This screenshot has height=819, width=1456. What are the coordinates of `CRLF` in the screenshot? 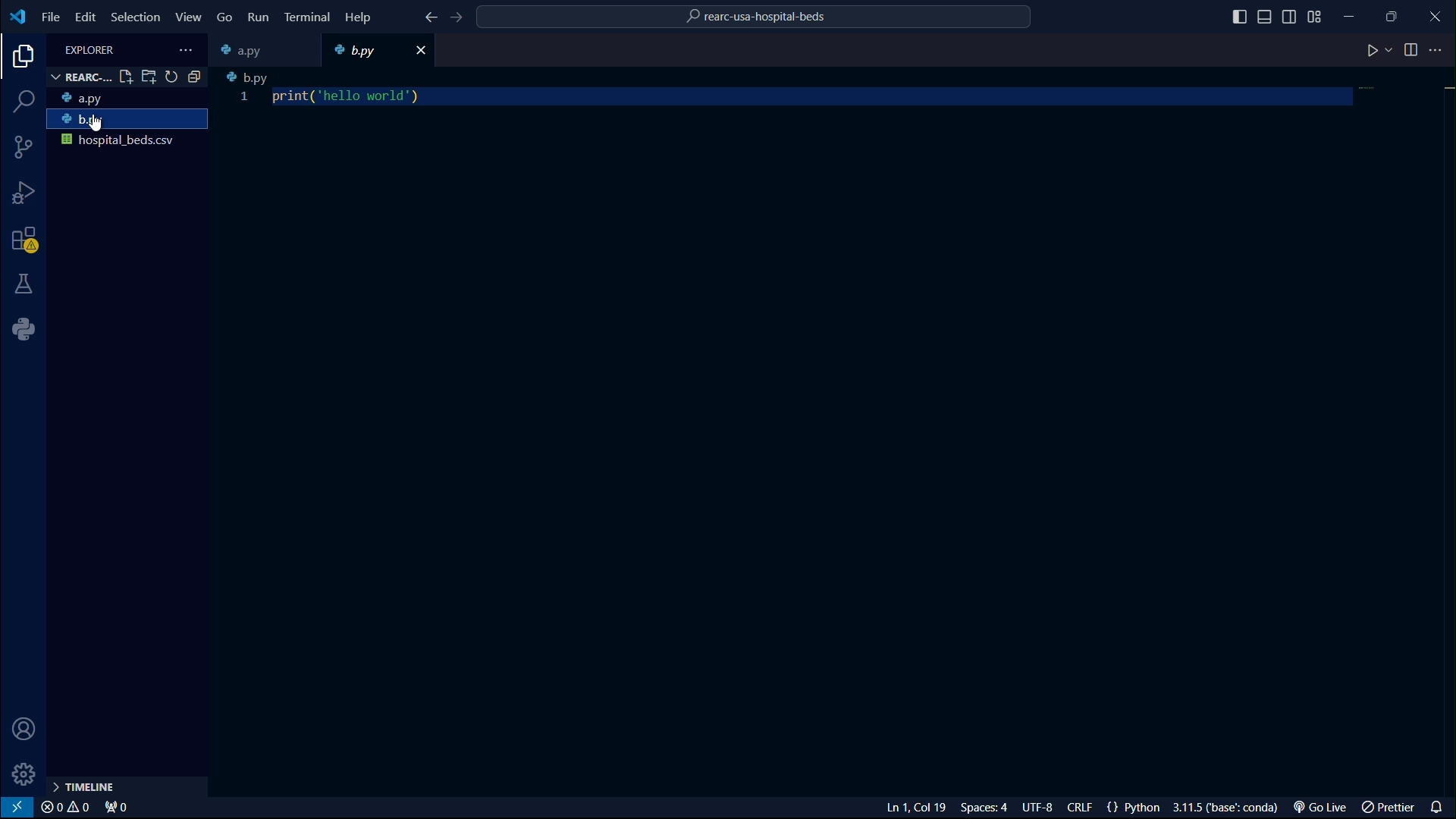 It's located at (1082, 807).